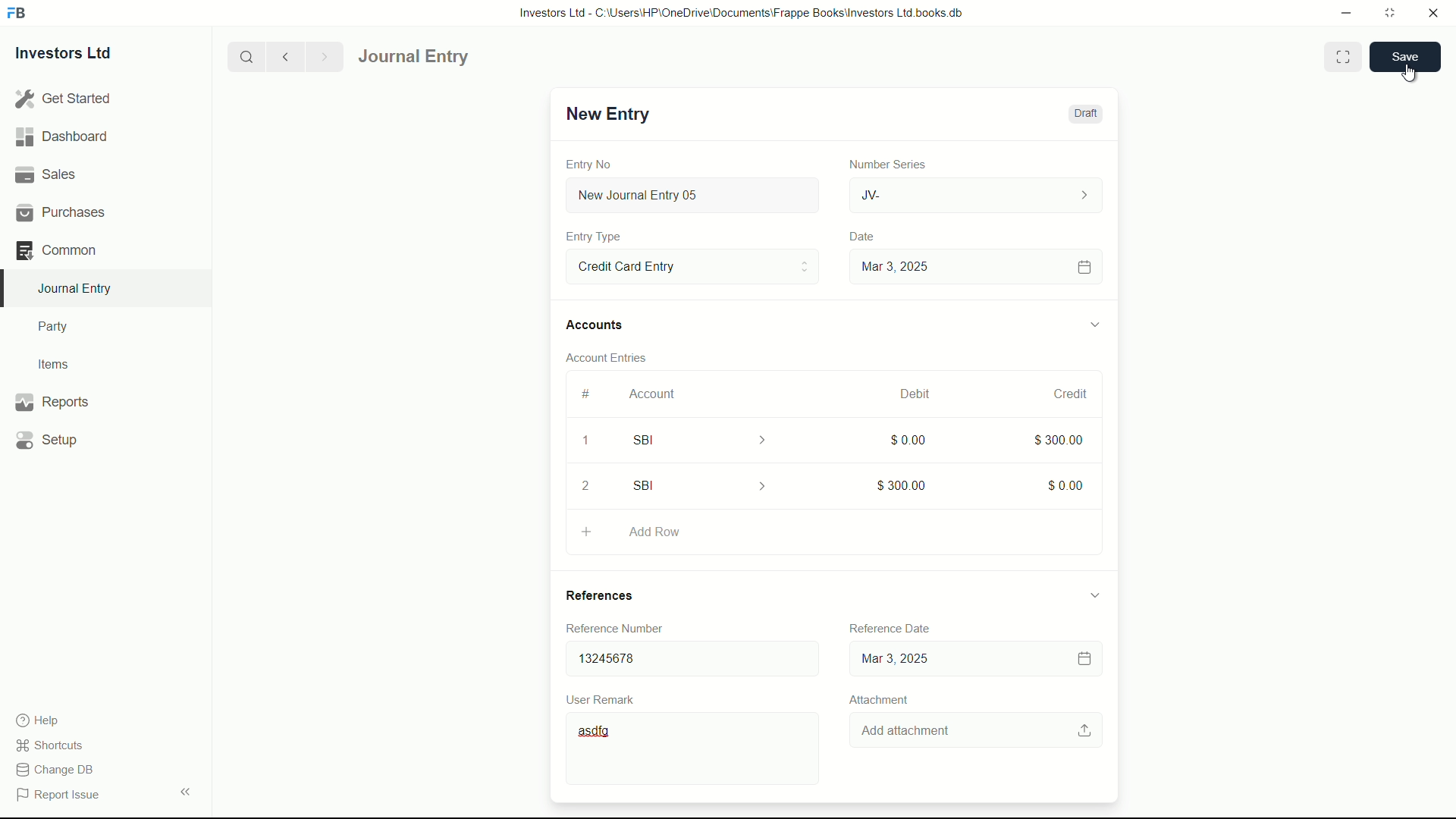 The image size is (1456, 819). What do you see at coordinates (17, 14) in the screenshot?
I see `FrappeBooks logo` at bounding box center [17, 14].